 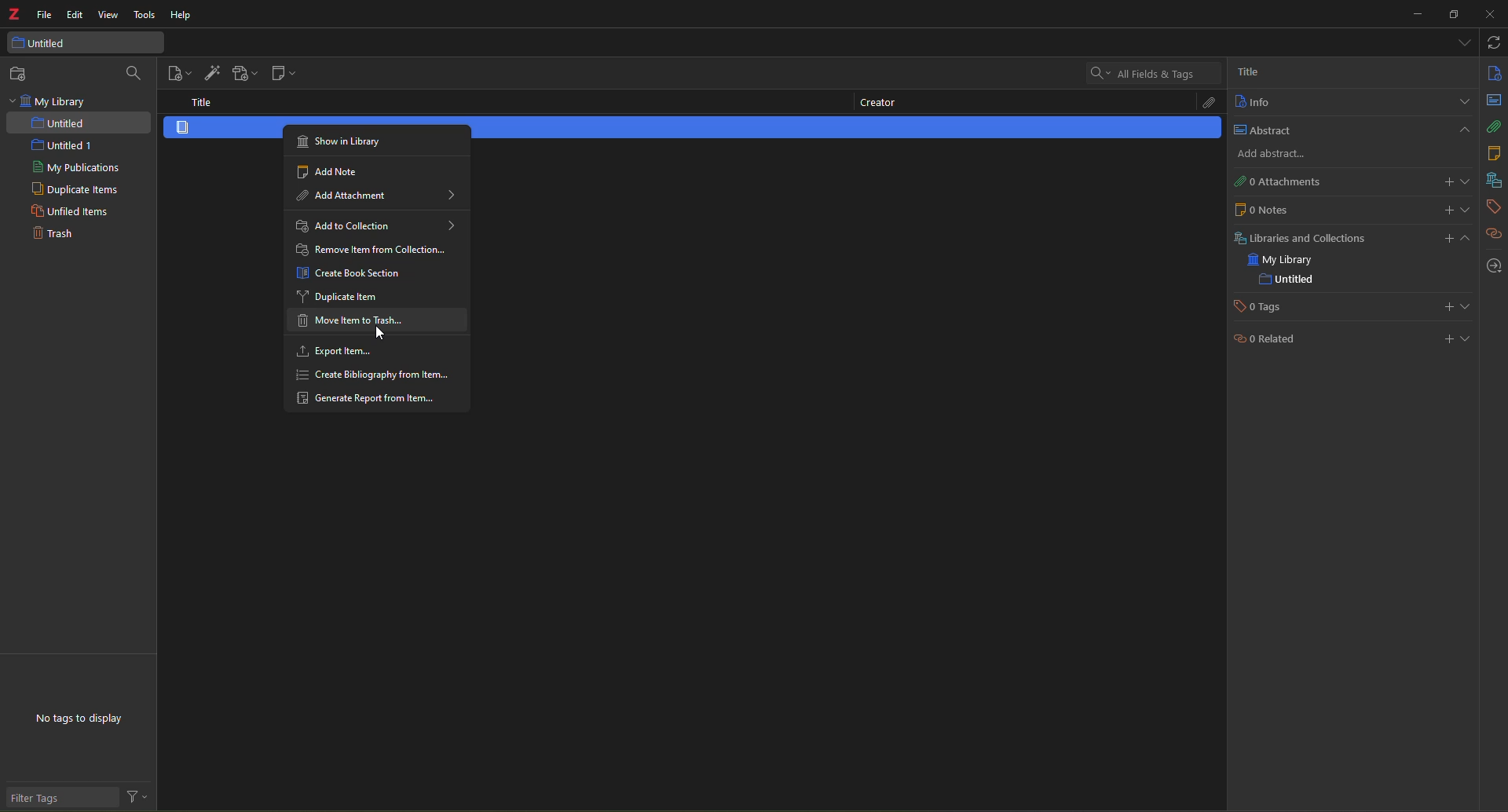 What do you see at coordinates (377, 331) in the screenshot?
I see `cursor` at bounding box center [377, 331].